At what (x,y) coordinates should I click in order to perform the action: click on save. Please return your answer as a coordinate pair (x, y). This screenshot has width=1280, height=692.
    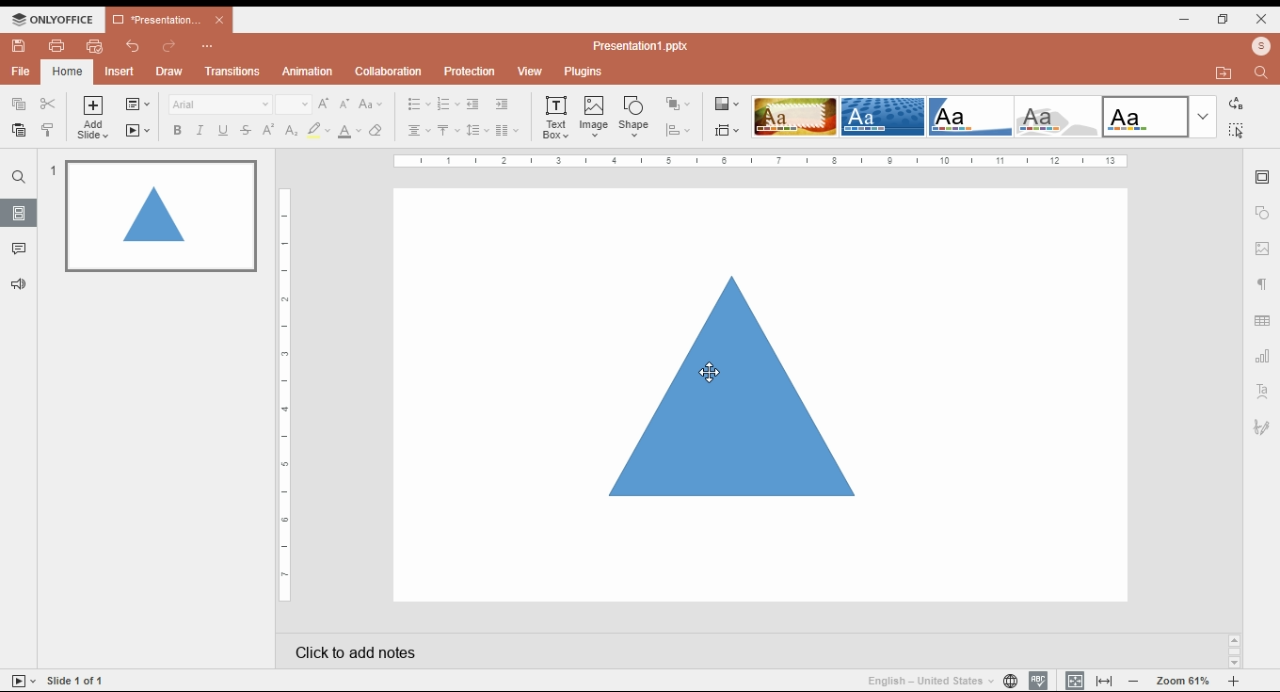
    Looking at the image, I should click on (20, 46).